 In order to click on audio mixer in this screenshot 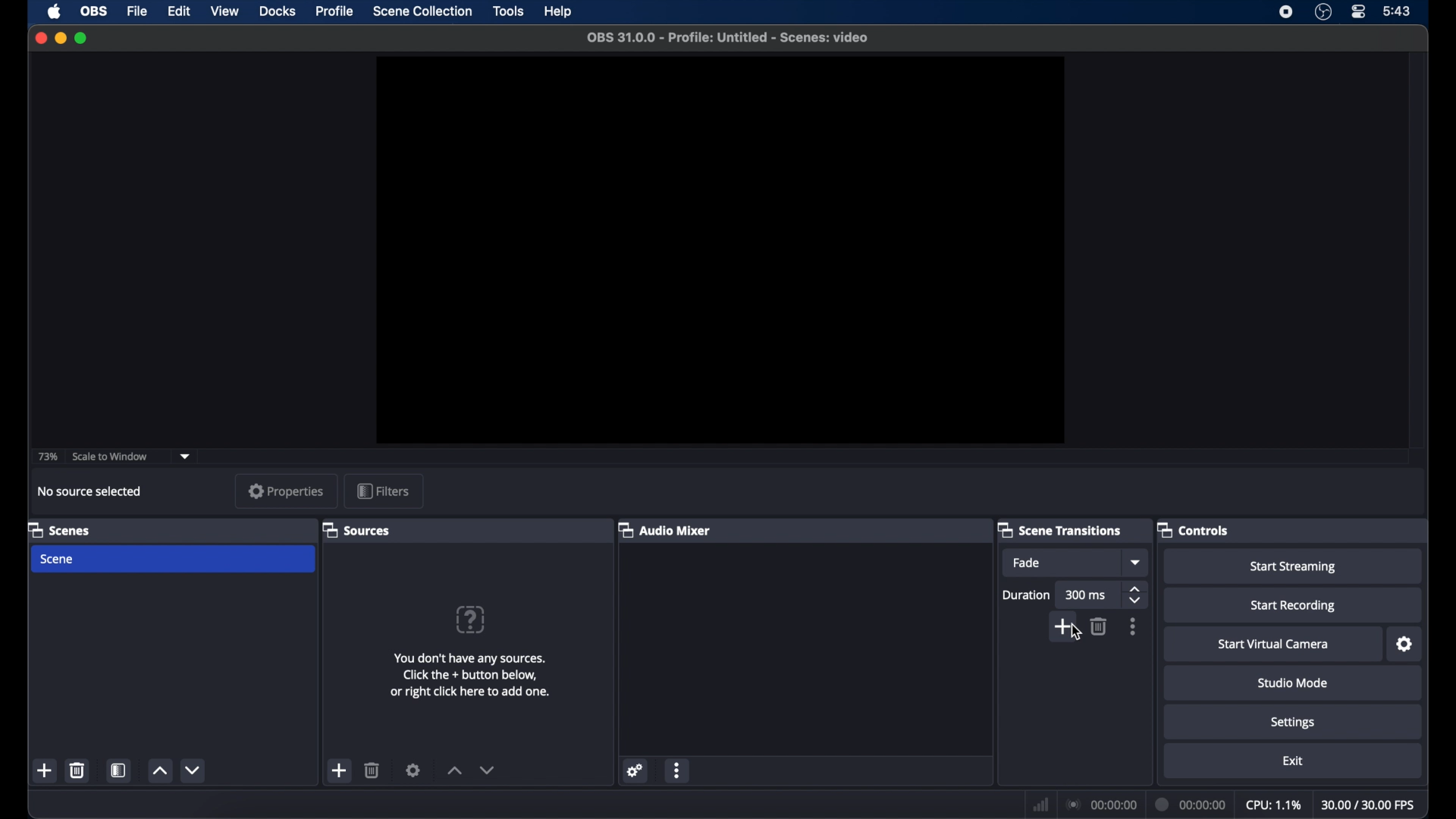, I will do `click(665, 529)`.